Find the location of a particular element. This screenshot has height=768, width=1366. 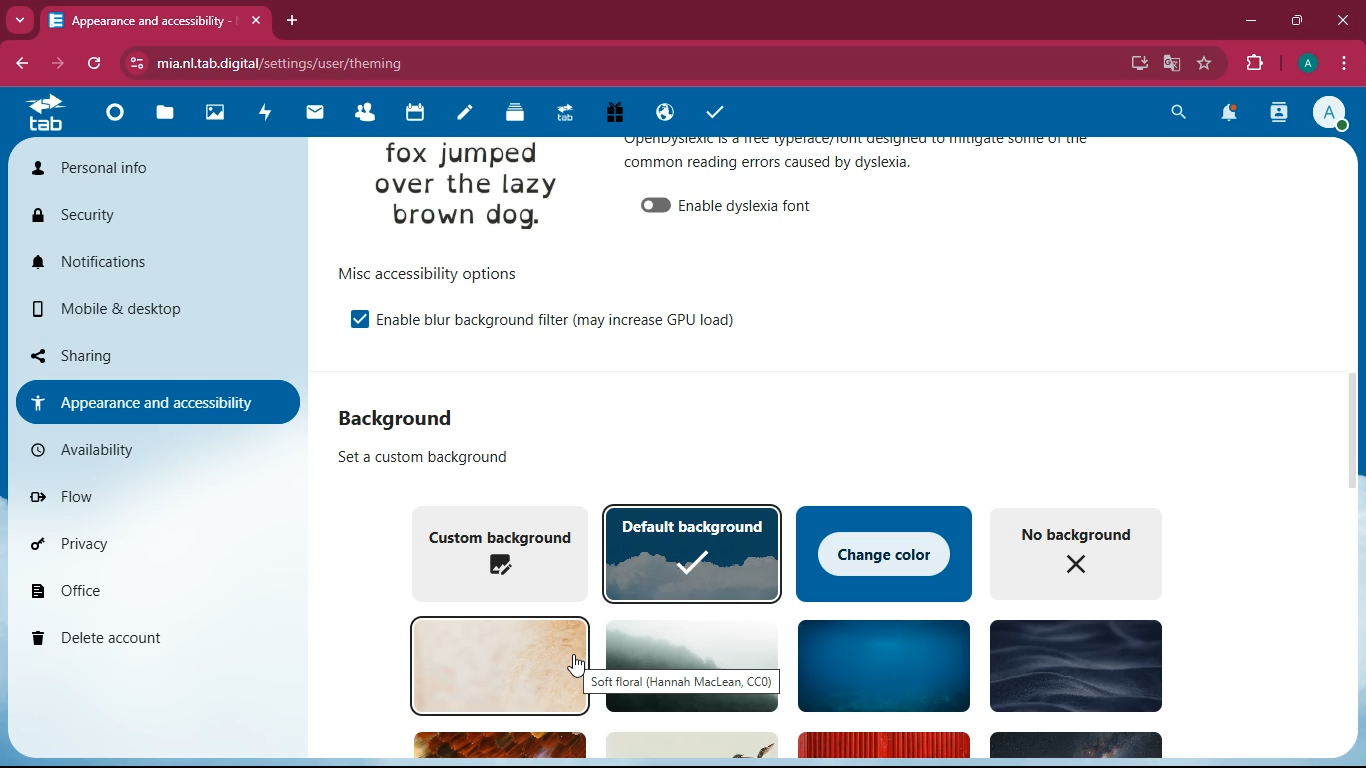

 is located at coordinates (1077, 746).